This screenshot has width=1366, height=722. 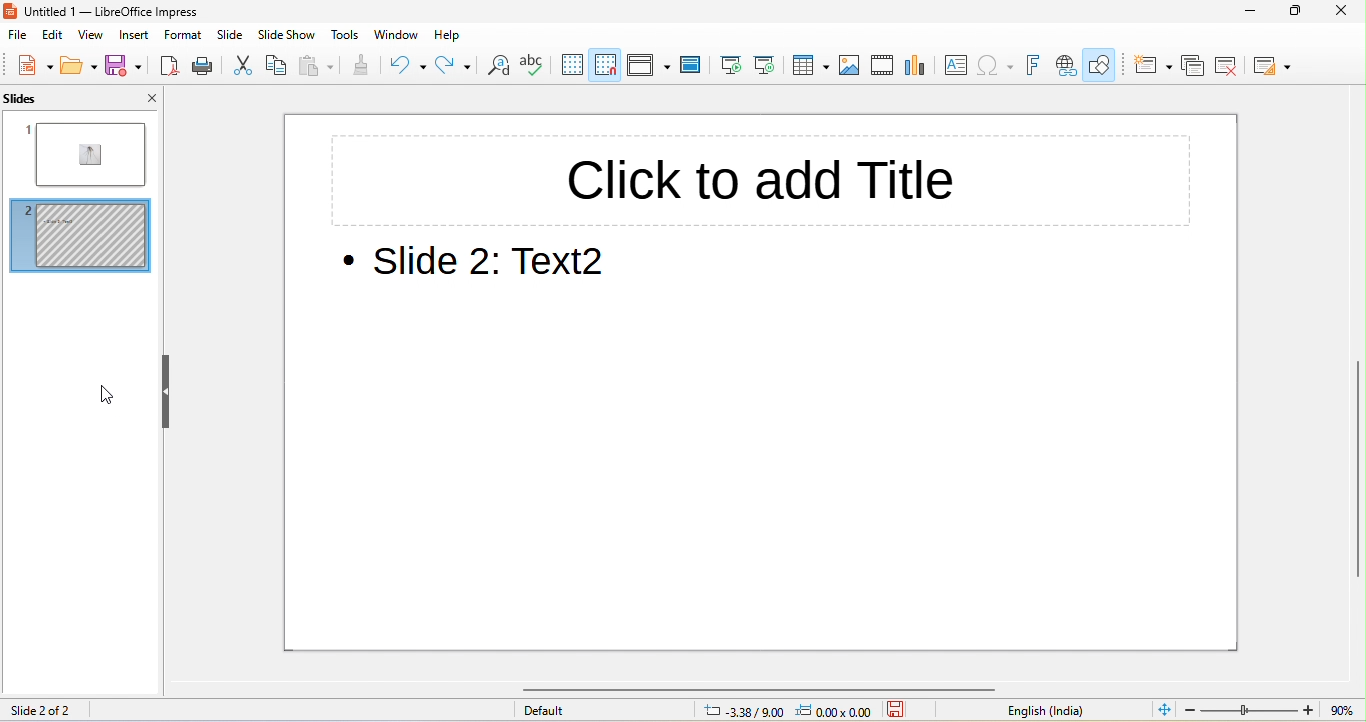 I want to click on slide 2 of 2, so click(x=50, y=709).